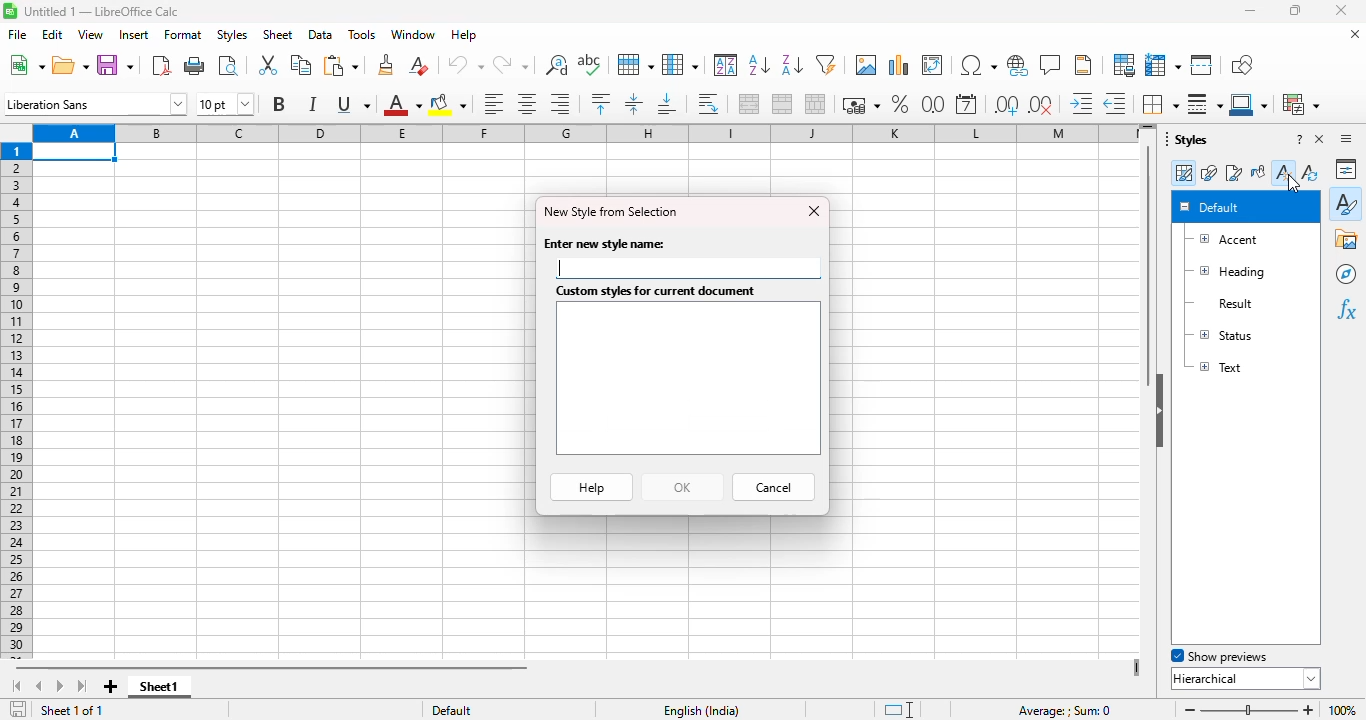 Image resolution: width=1366 pixels, height=720 pixels. What do you see at coordinates (1341, 10) in the screenshot?
I see `close` at bounding box center [1341, 10].